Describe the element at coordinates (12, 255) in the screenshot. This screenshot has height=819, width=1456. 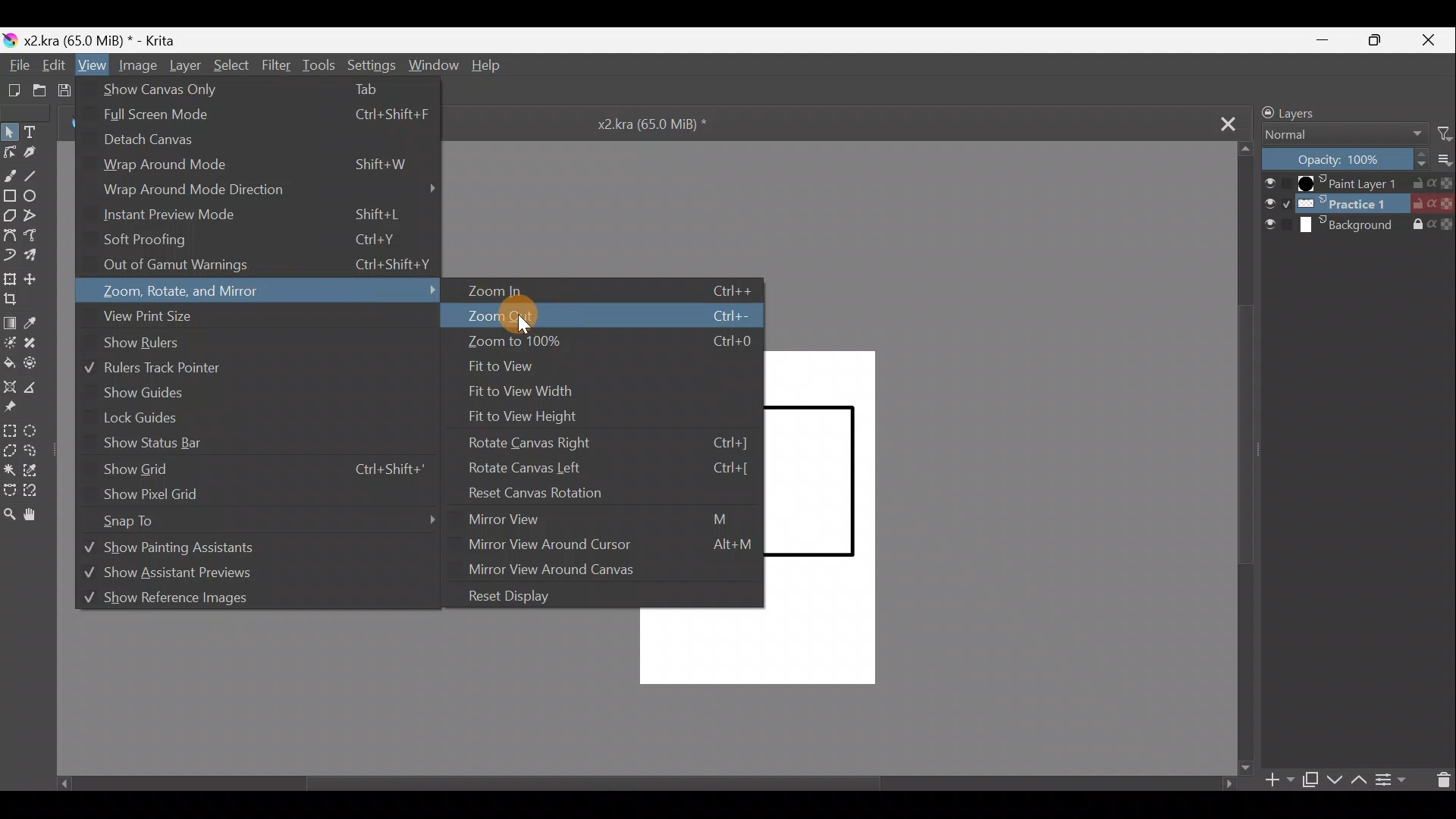
I see `Dynamic brush tool` at that location.